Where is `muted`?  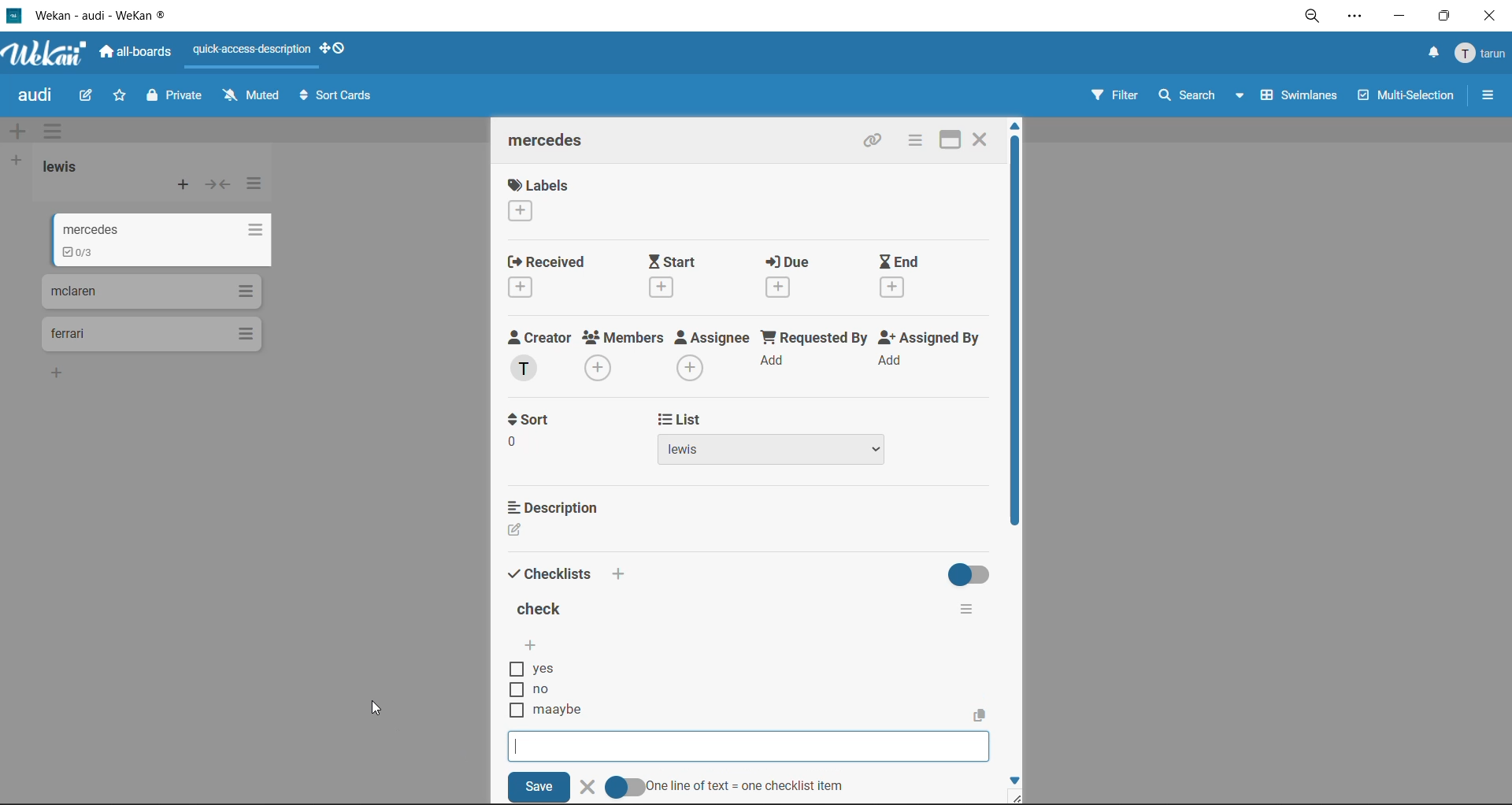
muted is located at coordinates (250, 95).